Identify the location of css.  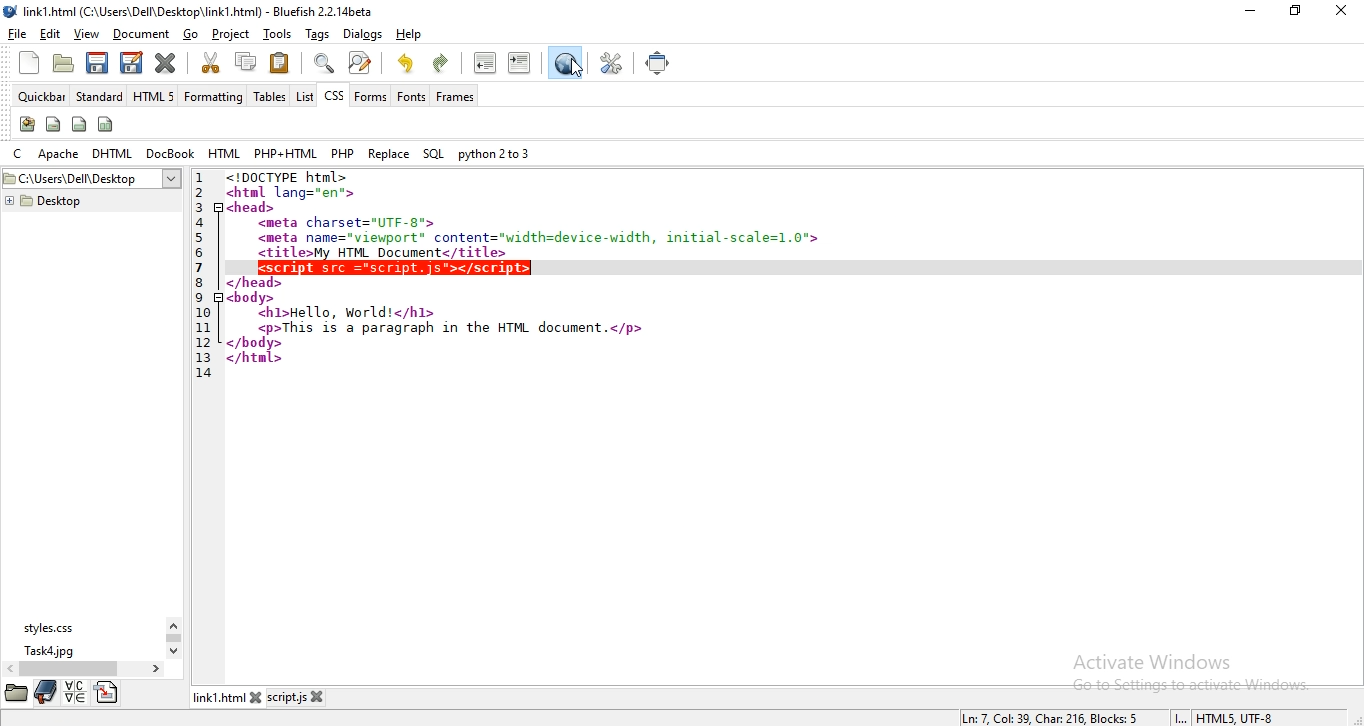
(332, 95).